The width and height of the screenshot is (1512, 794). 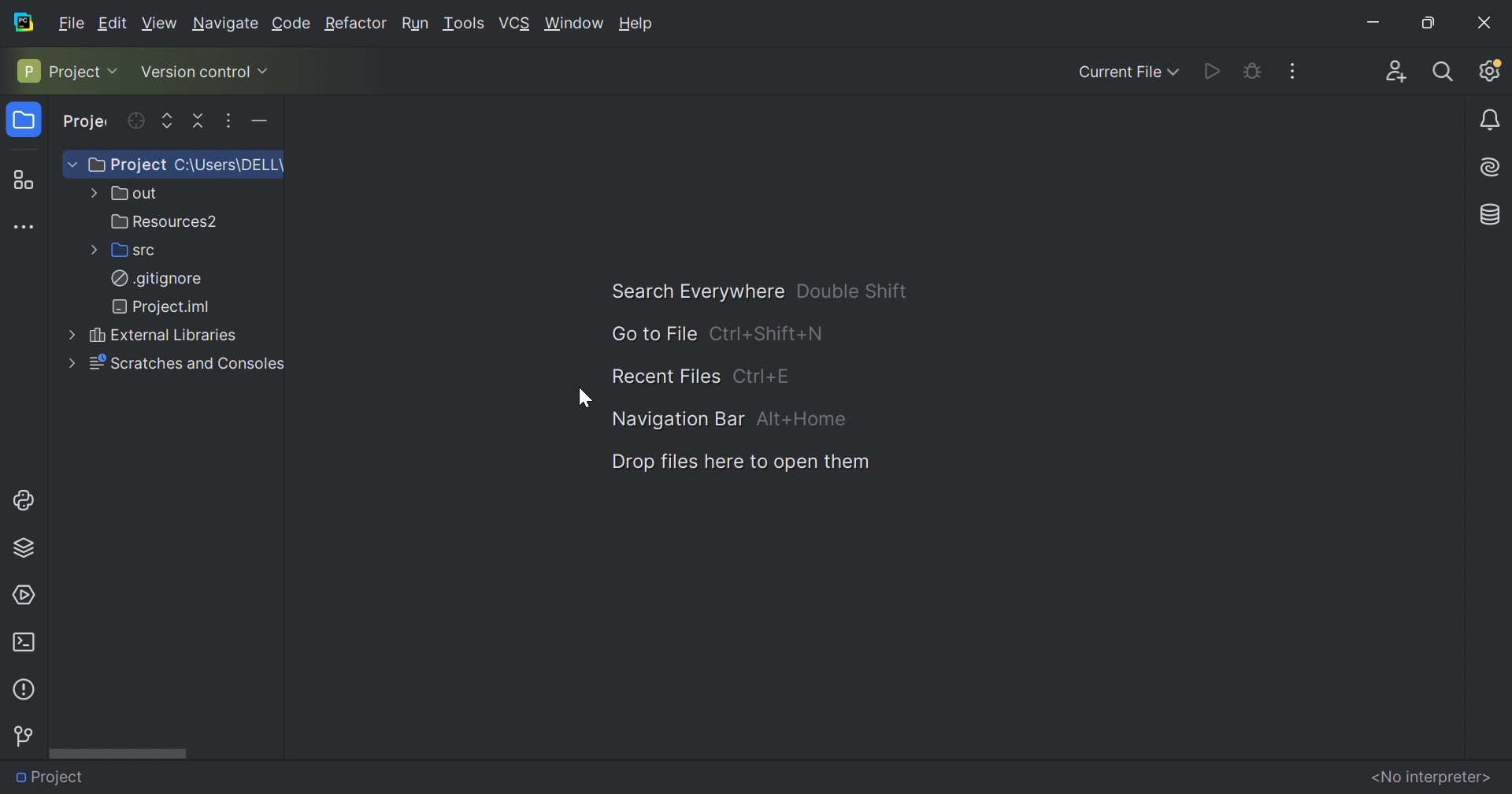 I want to click on Current File, so click(x=1119, y=72).